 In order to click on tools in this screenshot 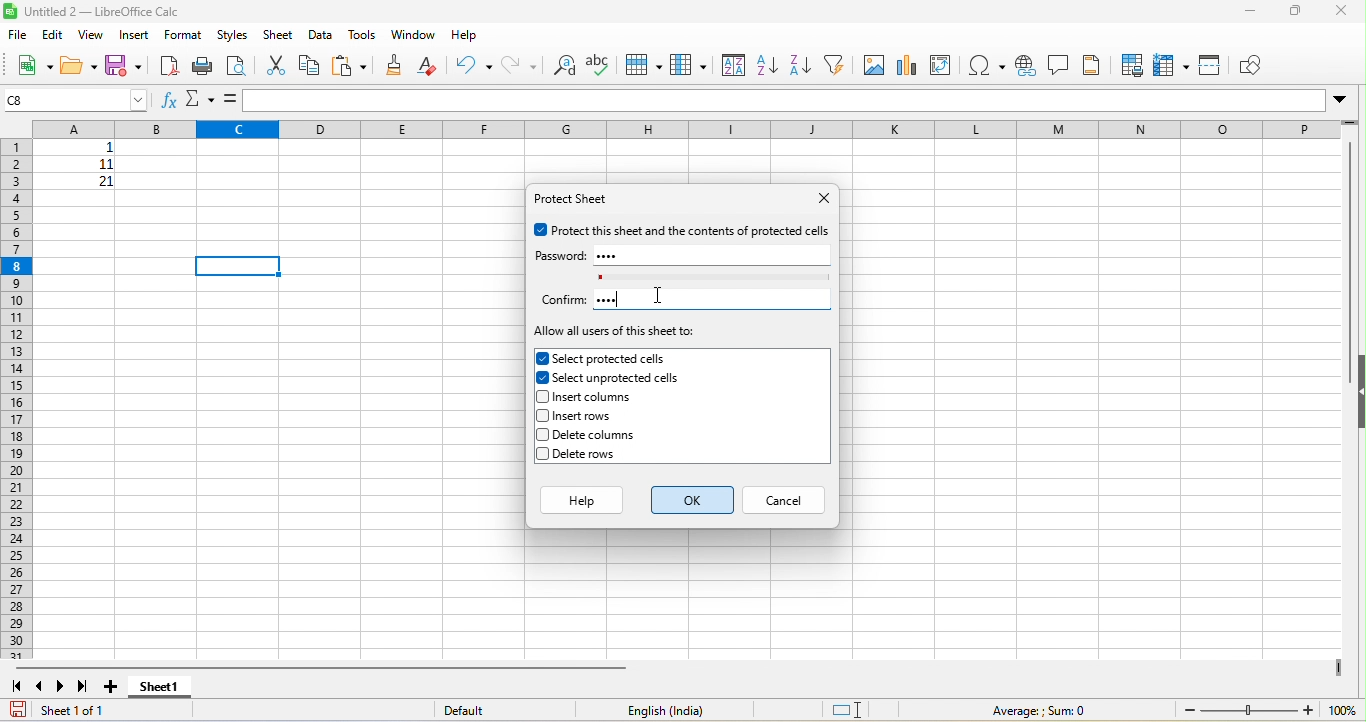, I will do `click(360, 34)`.